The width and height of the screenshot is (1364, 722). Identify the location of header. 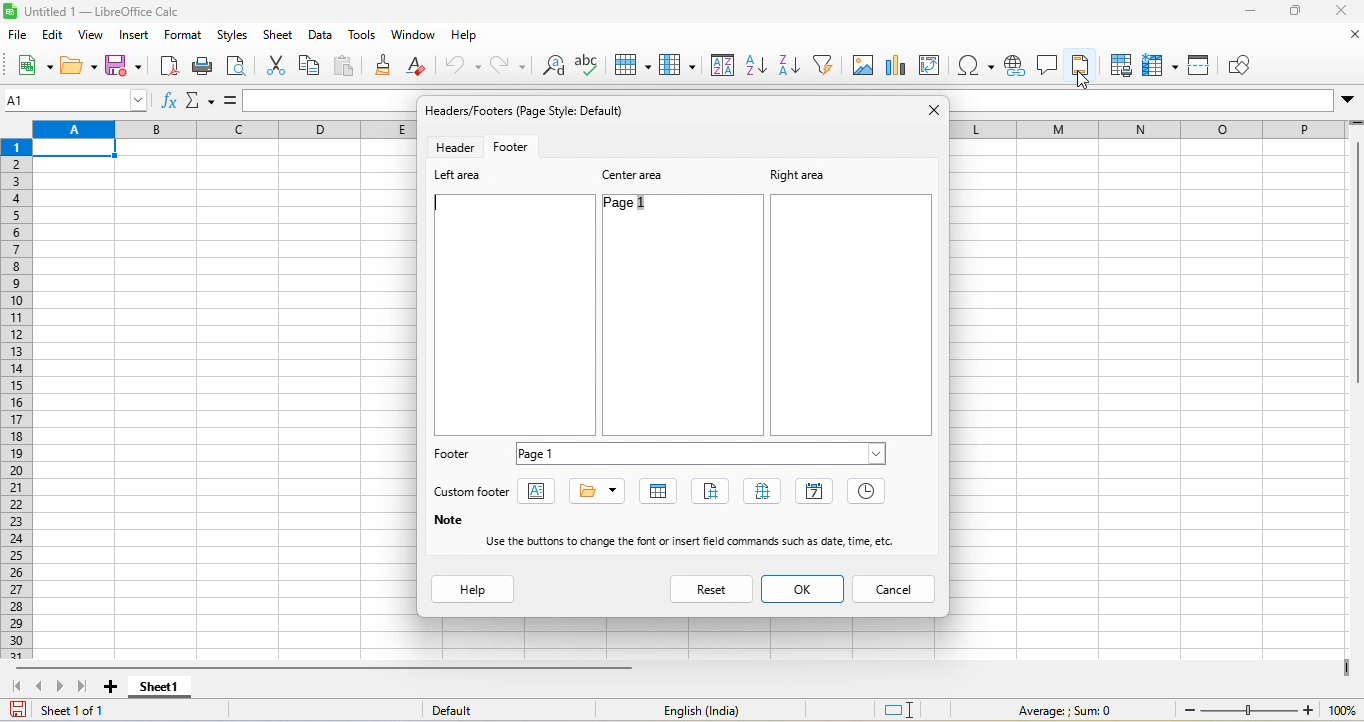
(453, 147).